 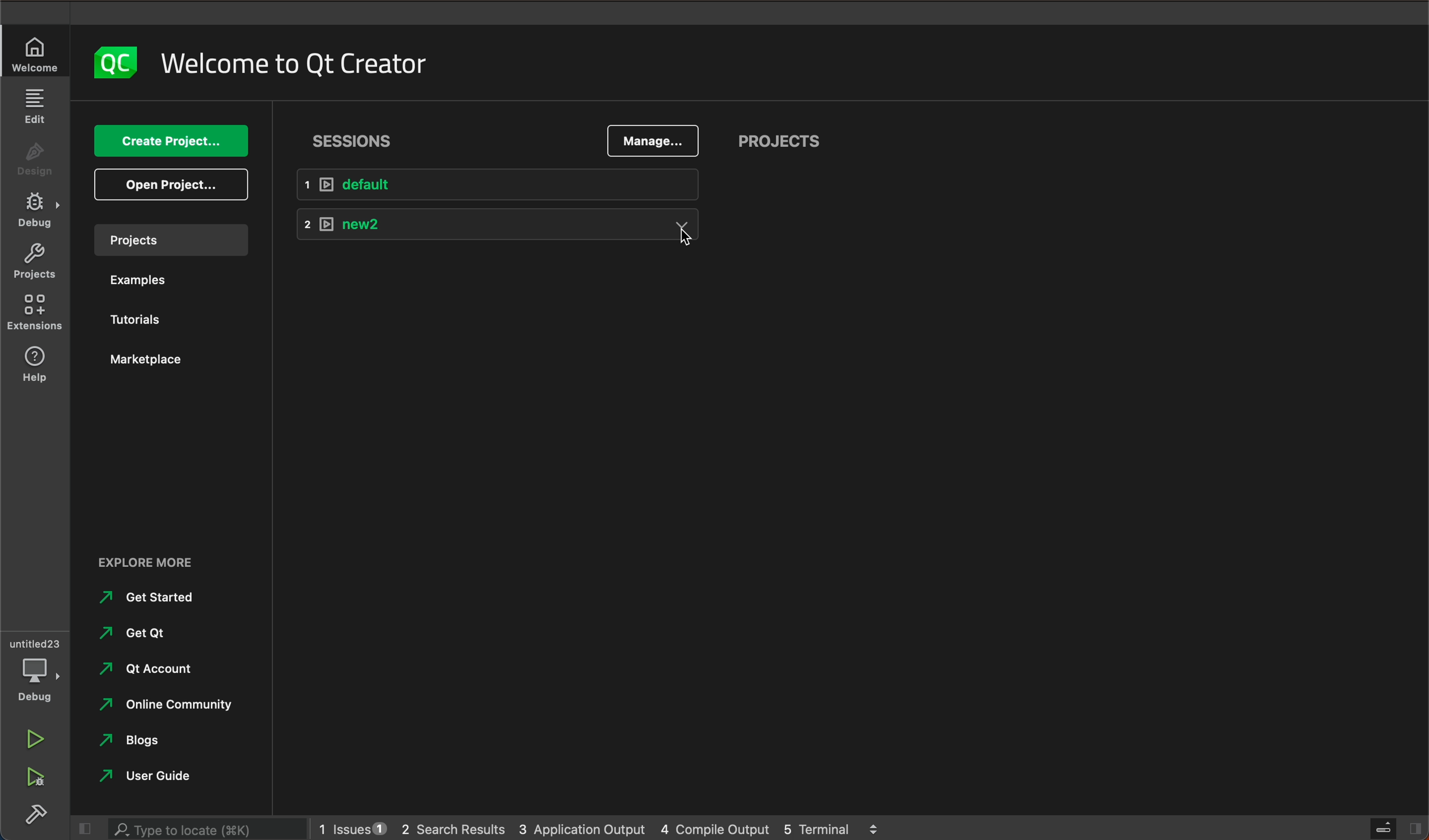 I want to click on projects, so click(x=35, y=262).